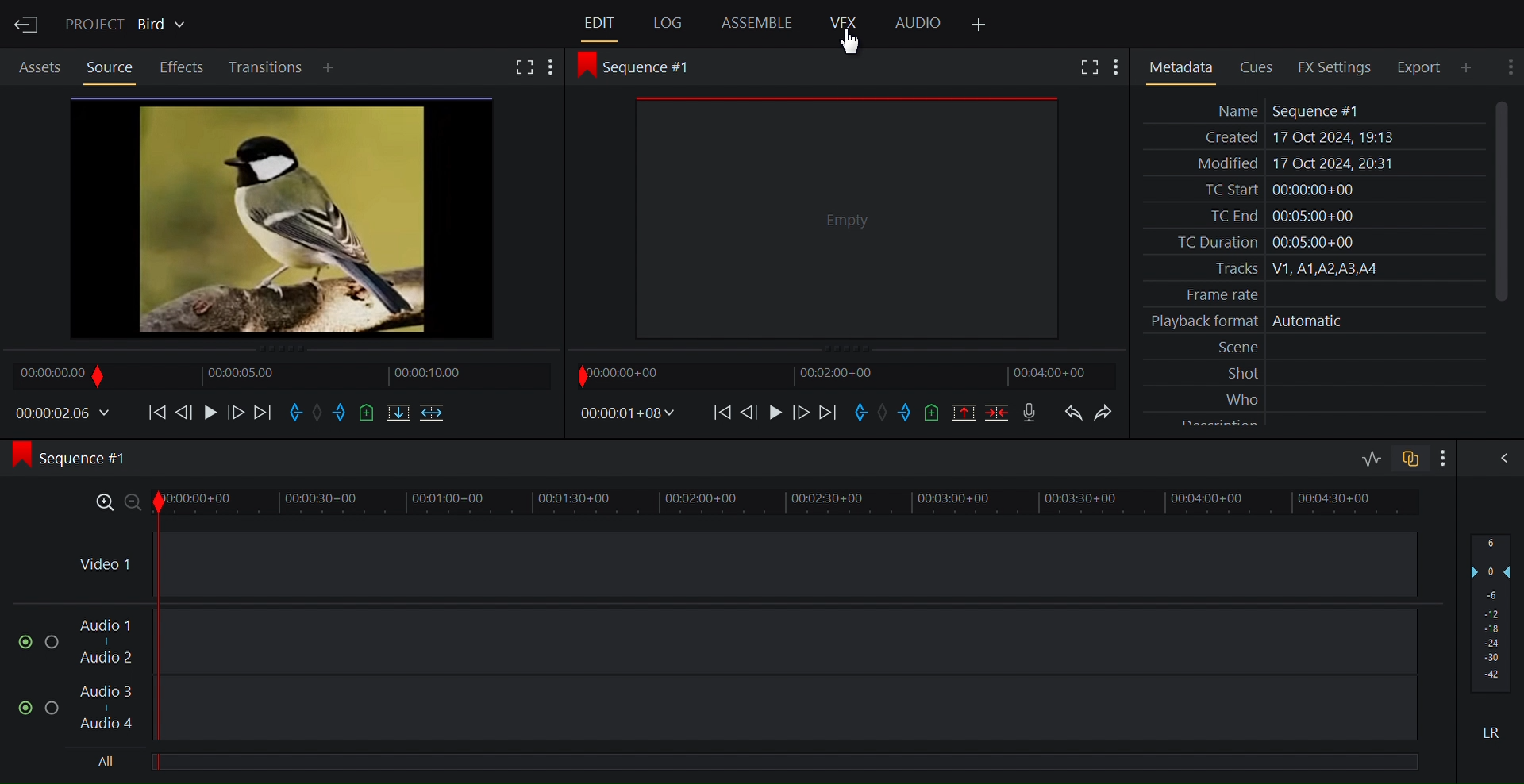 This screenshot has height=784, width=1524. What do you see at coordinates (742, 710) in the screenshot?
I see `Audio Track 3, Audio Track 4` at bounding box center [742, 710].